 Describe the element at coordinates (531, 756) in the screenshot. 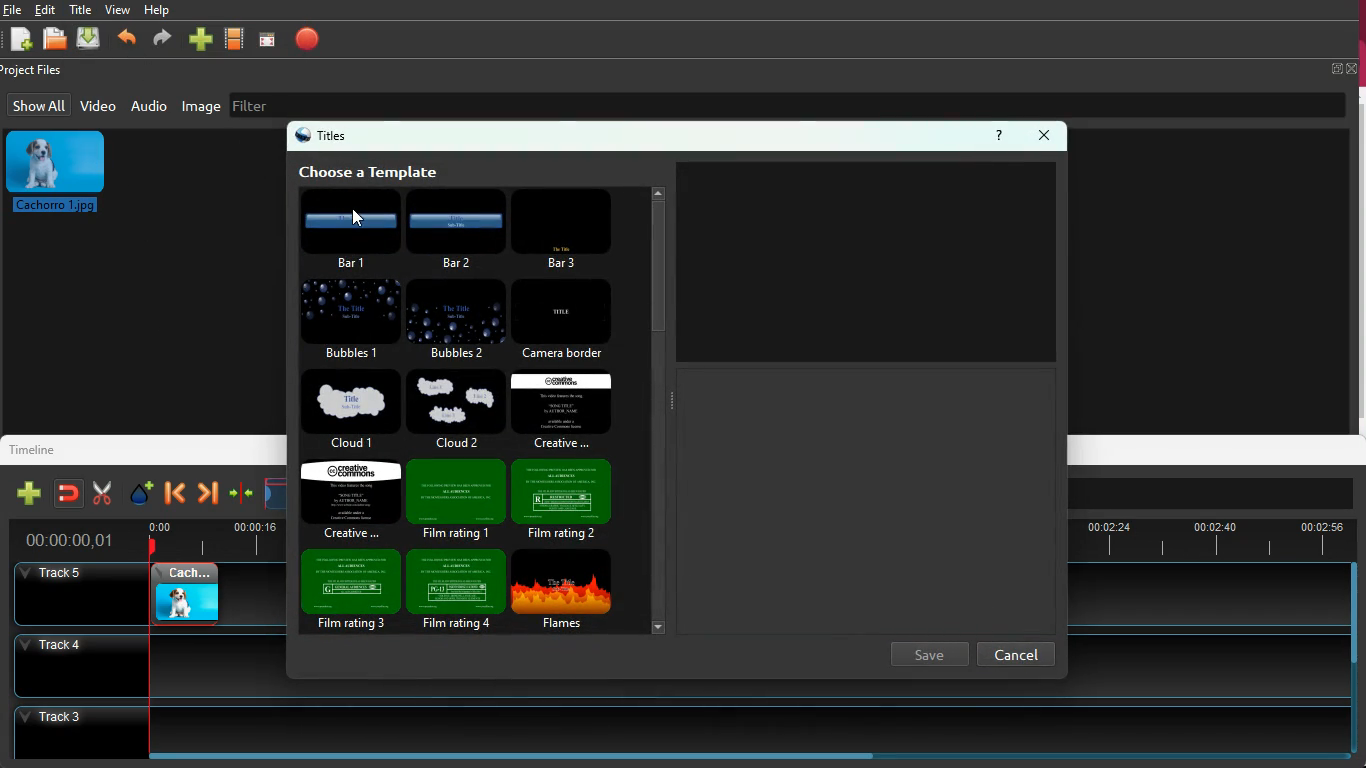

I see `Horizontal scroll bar` at that location.